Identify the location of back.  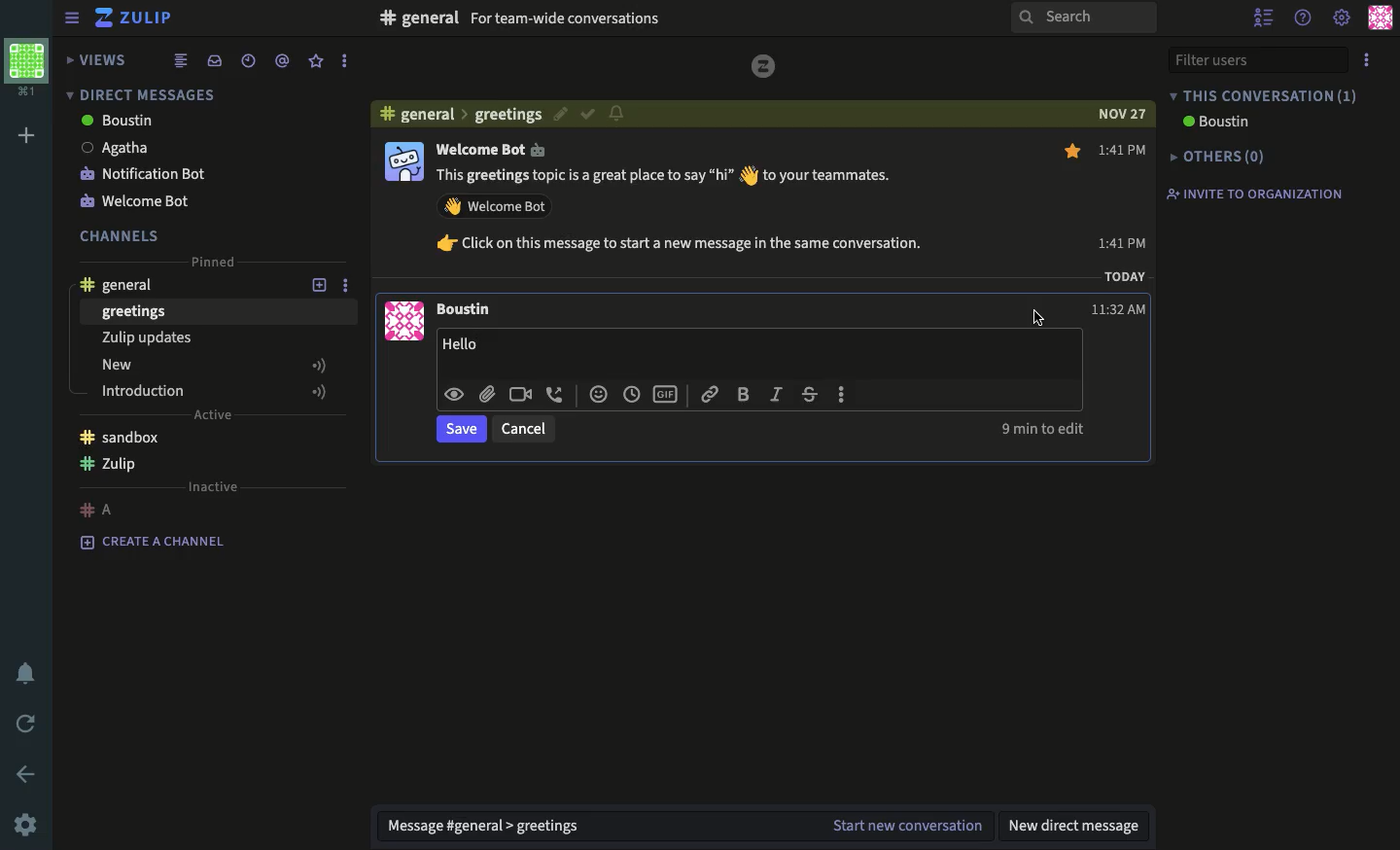
(29, 773).